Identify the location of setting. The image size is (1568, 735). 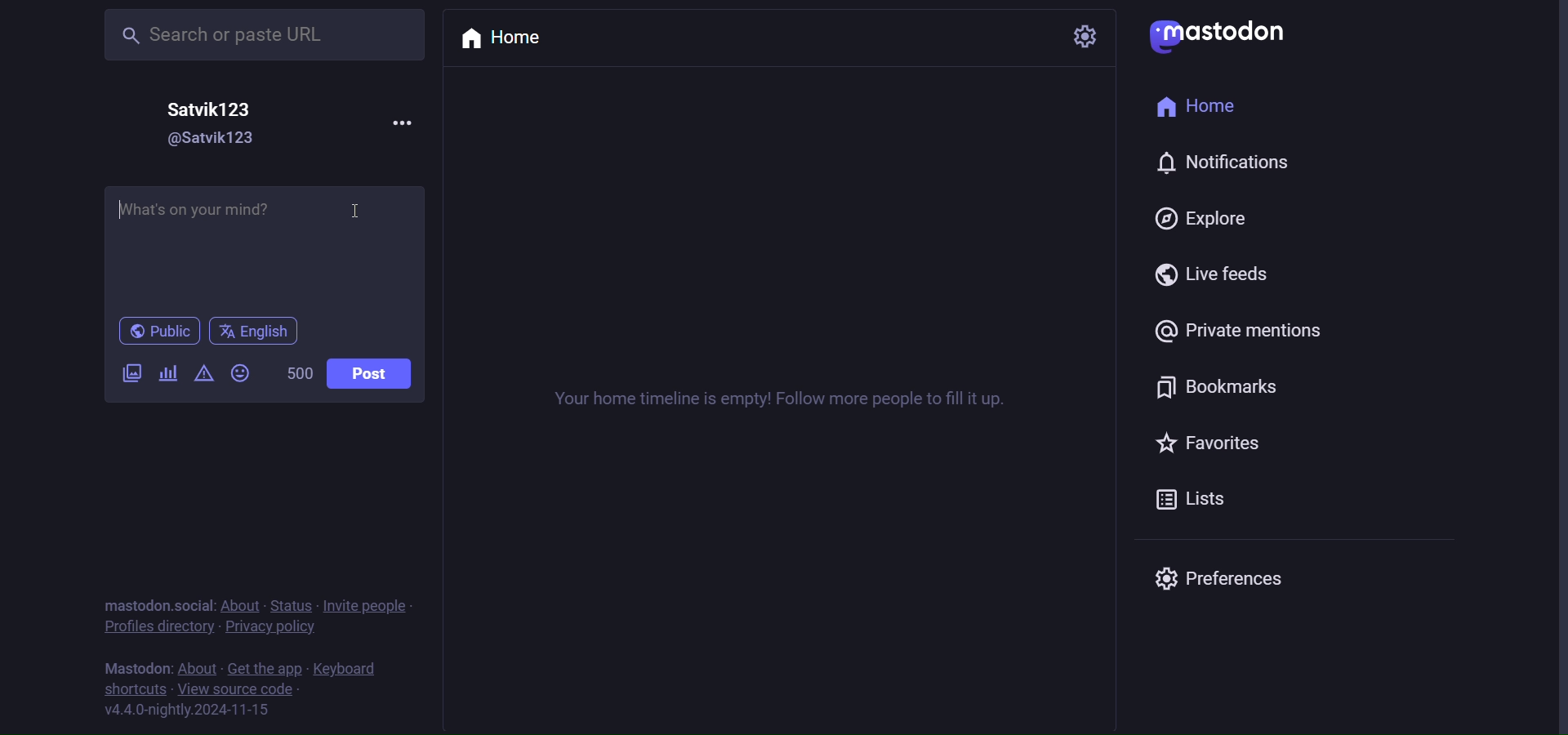
(1084, 36).